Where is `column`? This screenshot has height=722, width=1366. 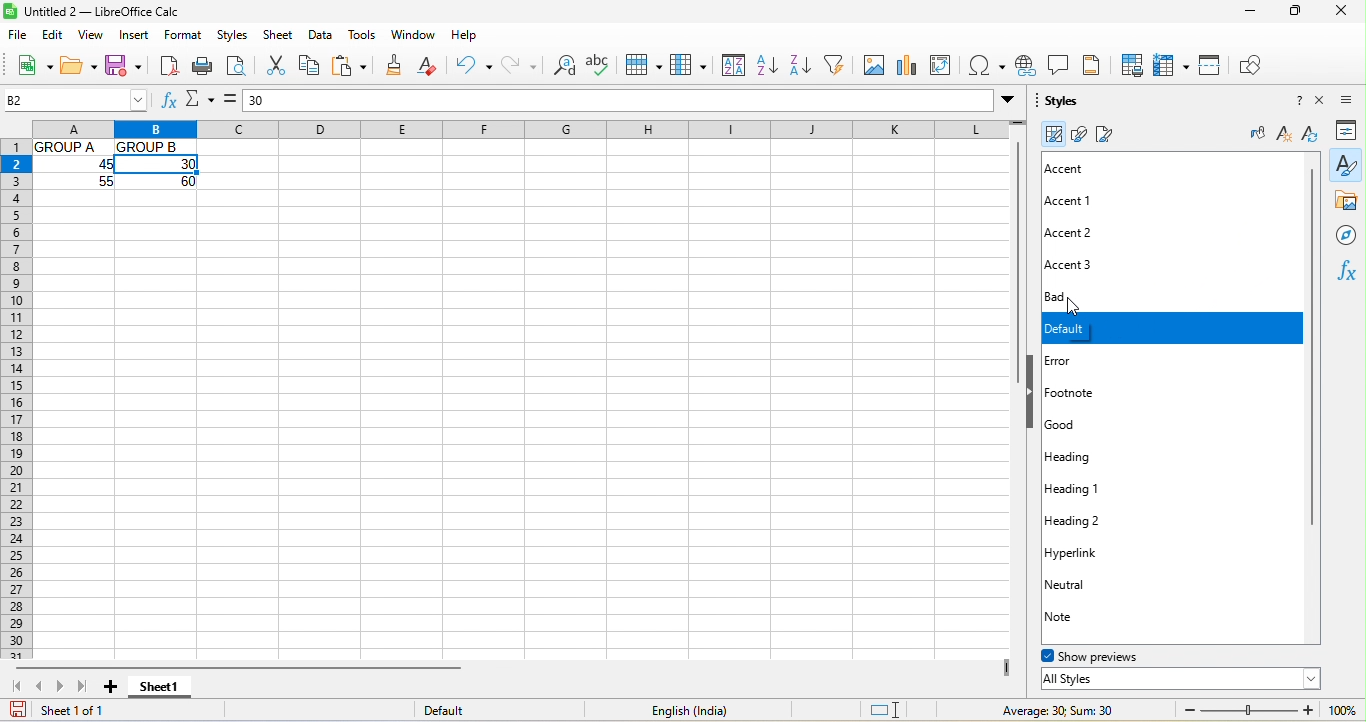
column is located at coordinates (505, 128).